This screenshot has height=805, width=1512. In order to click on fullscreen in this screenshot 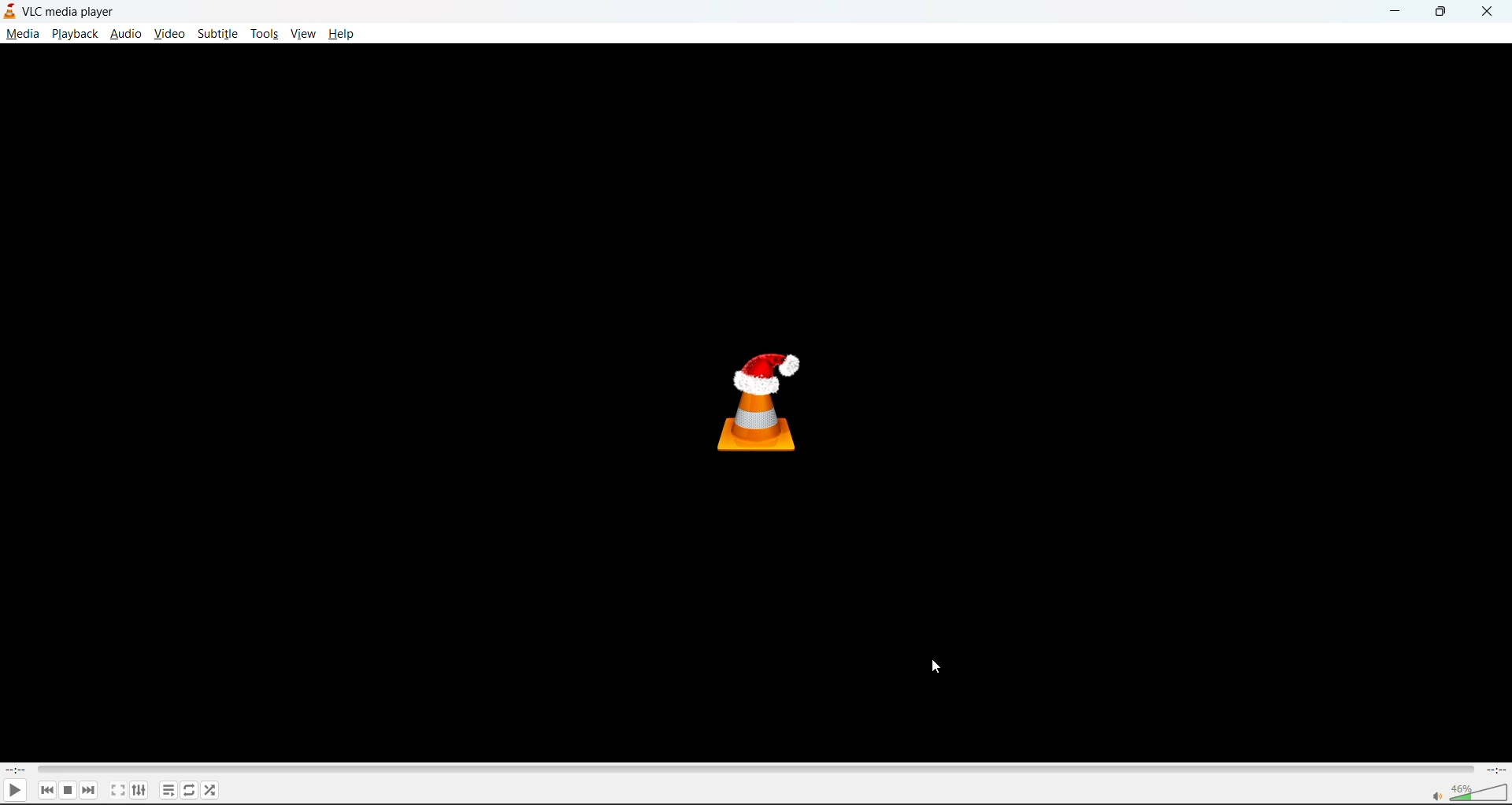, I will do `click(116, 789)`.